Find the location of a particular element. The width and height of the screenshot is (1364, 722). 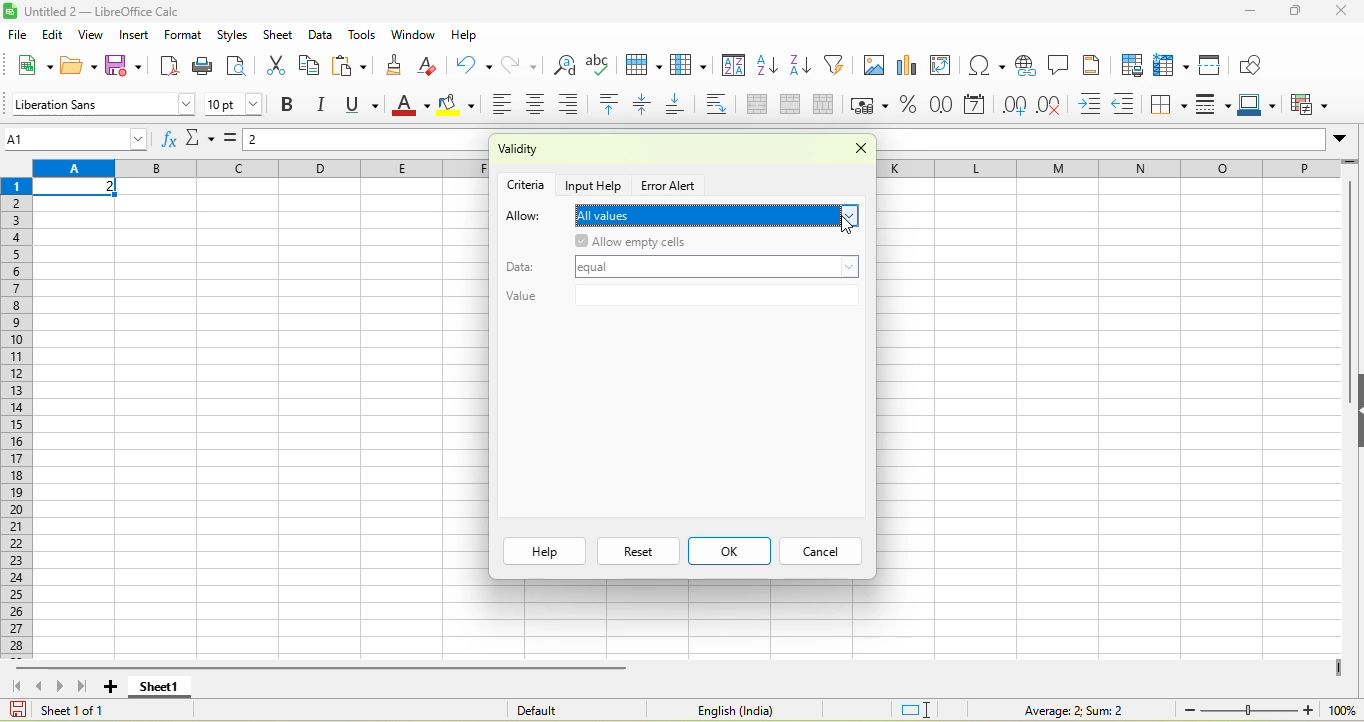

lose is located at coordinates (854, 151).